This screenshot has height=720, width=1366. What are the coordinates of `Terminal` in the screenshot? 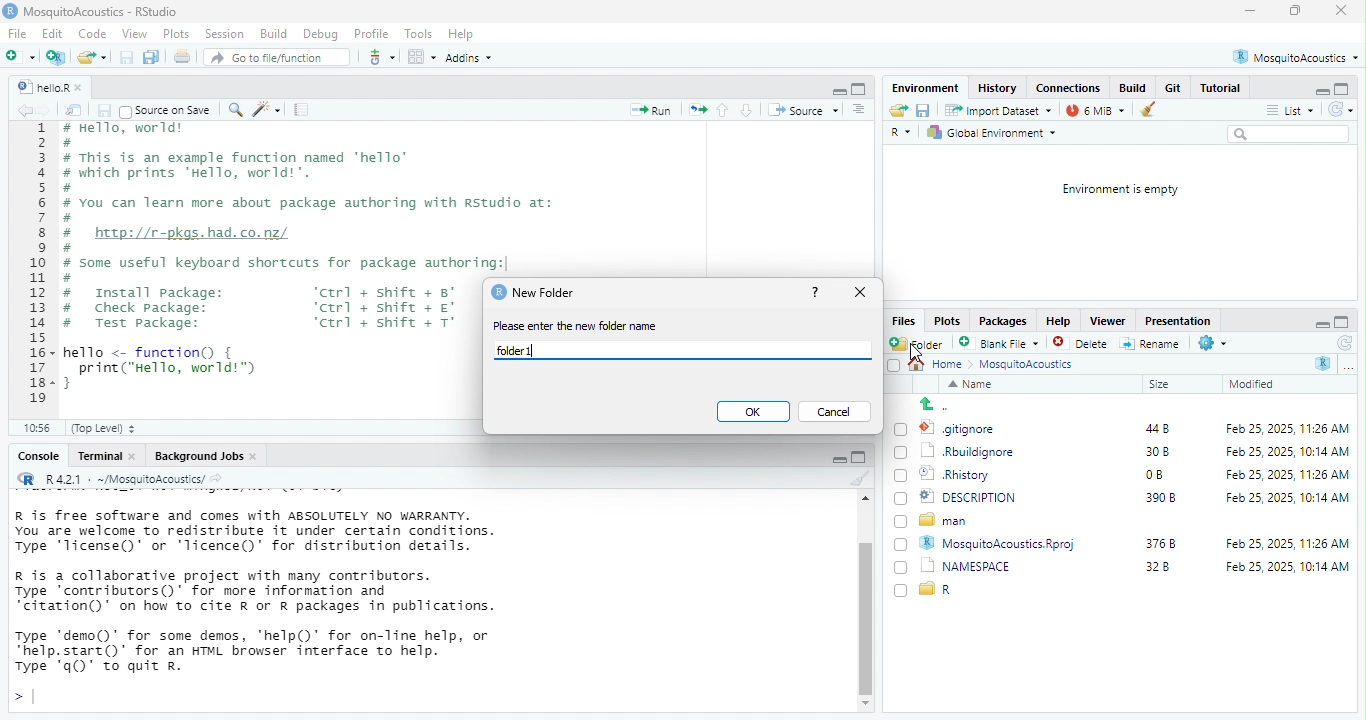 It's located at (99, 457).